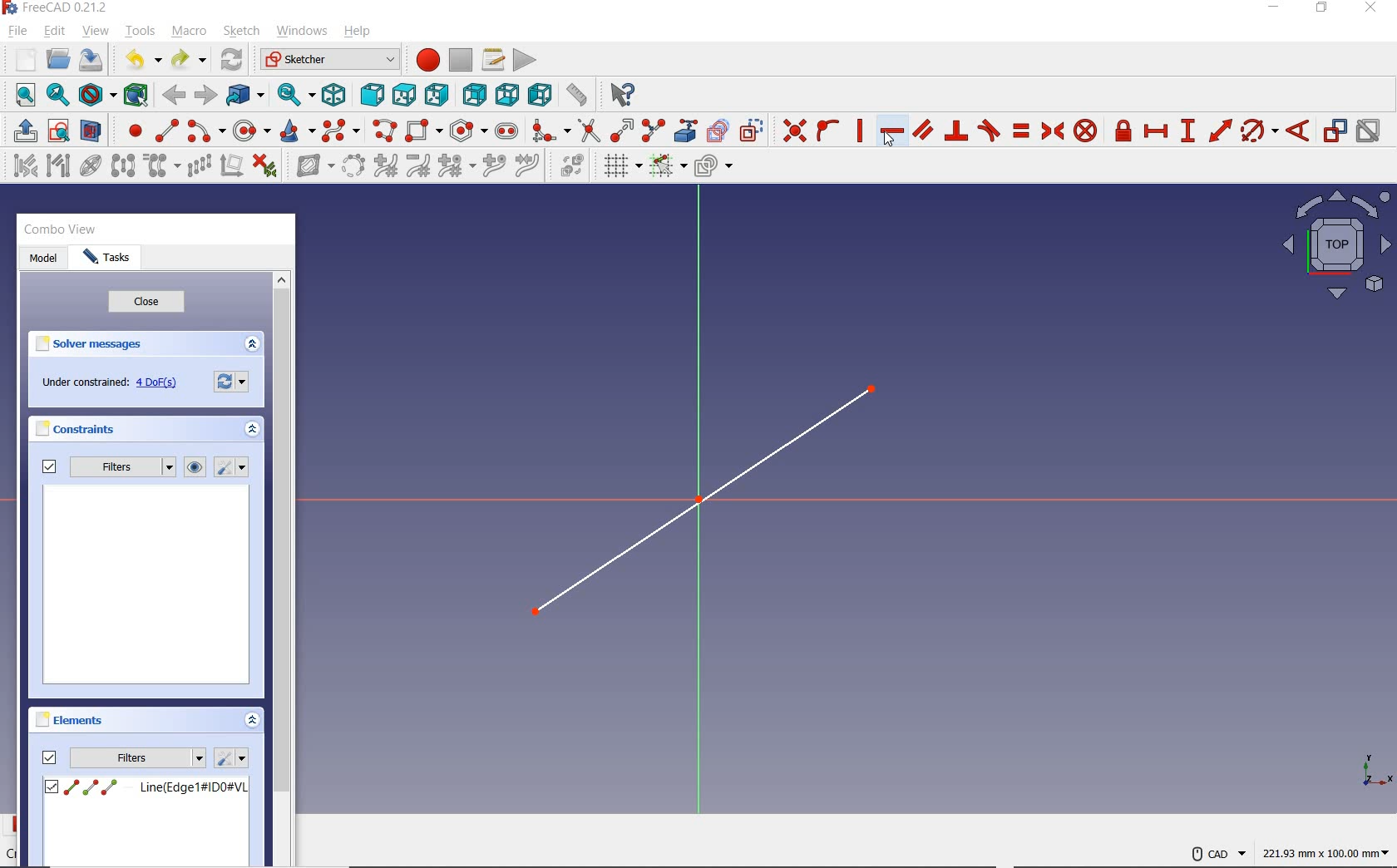 The image size is (1397, 868). What do you see at coordinates (91, 165) in the screenshot?
I see `SHOW/HIDE INTERNAL GEOMETRY` at bounding box center [91, 165].